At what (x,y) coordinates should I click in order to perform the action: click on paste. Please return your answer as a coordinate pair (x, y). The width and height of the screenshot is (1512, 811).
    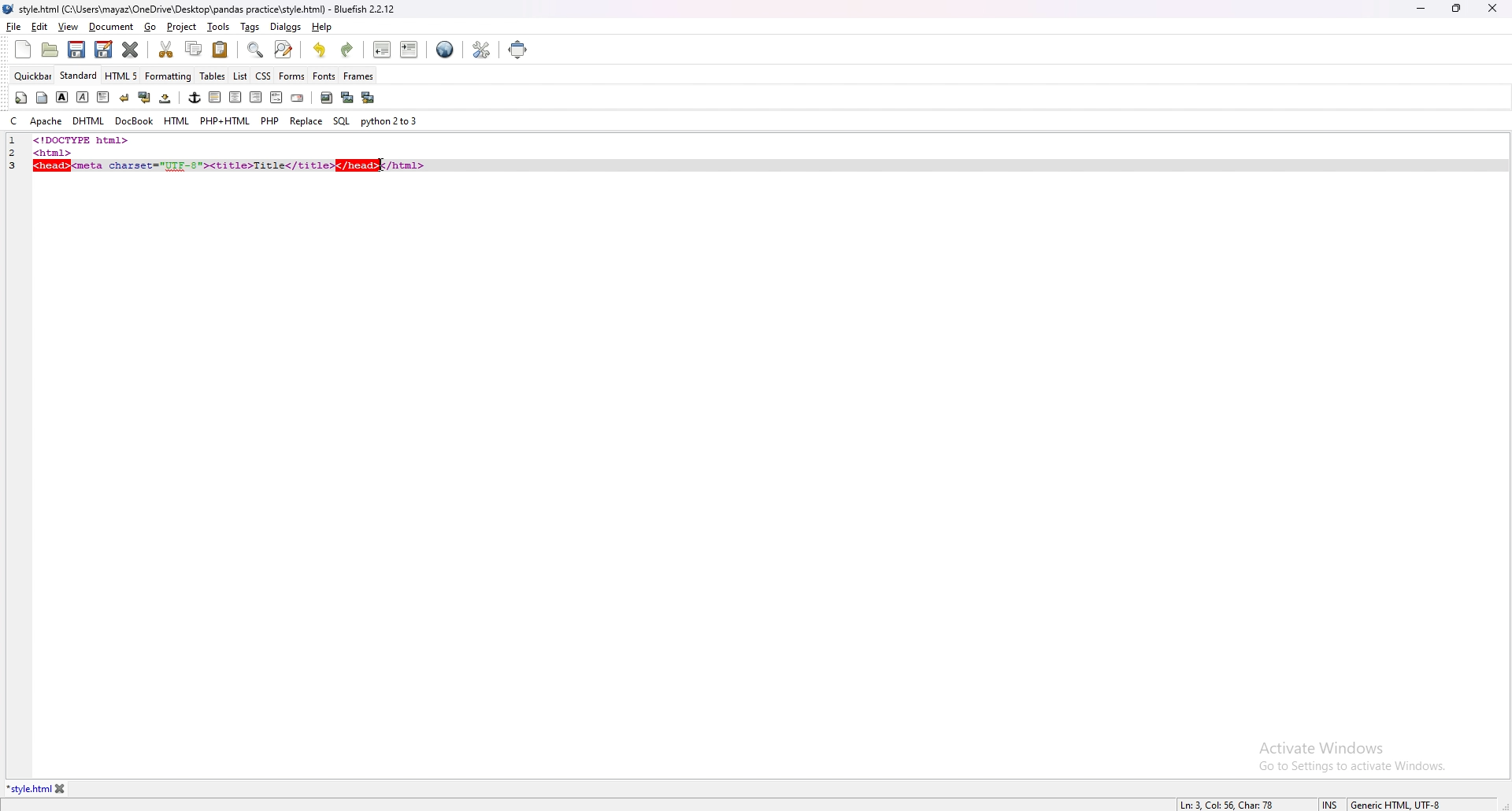
    Looking at the image, I should click on (220, 49).